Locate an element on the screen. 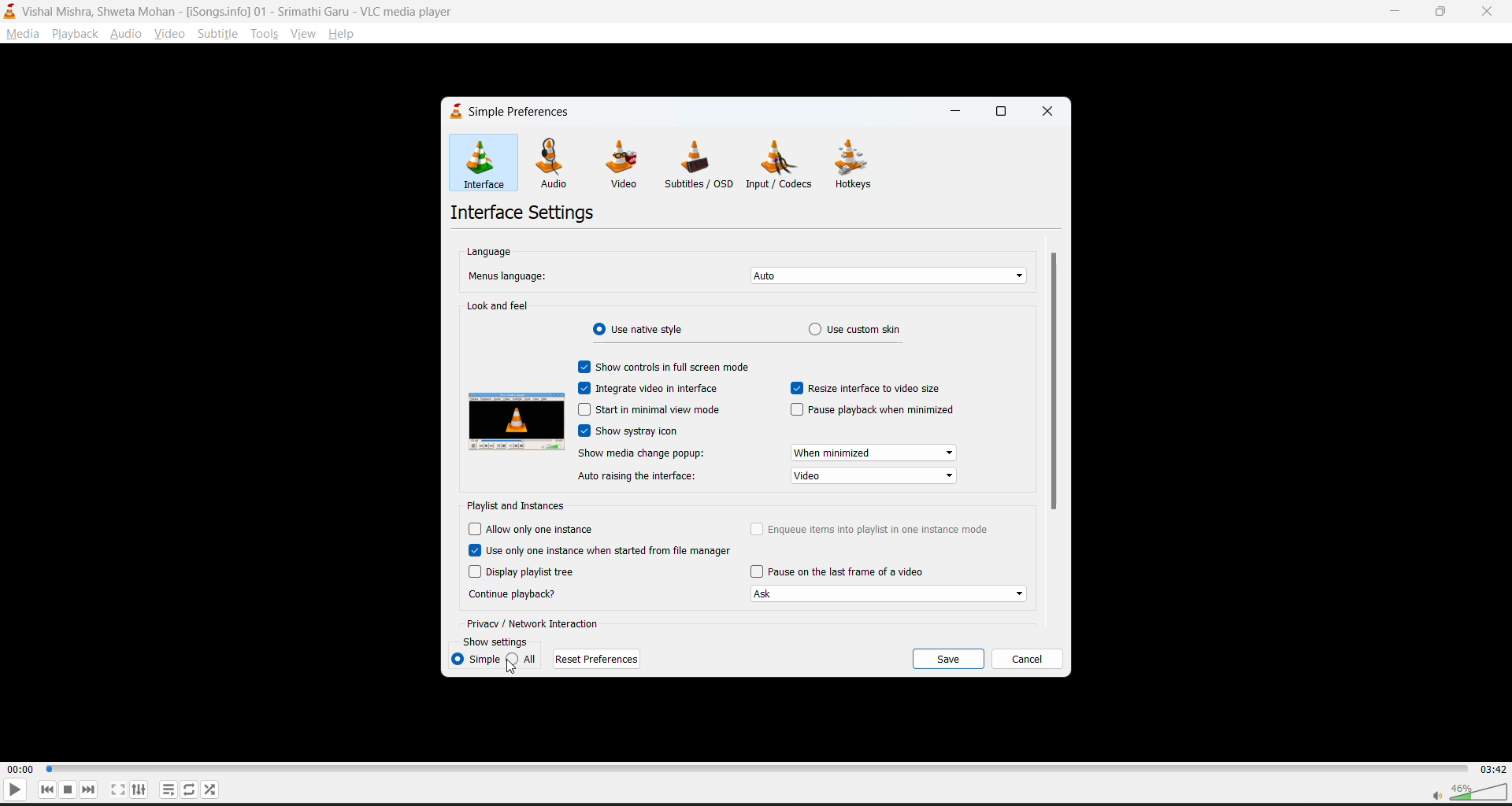  playback is located at coordinates (76, 35).